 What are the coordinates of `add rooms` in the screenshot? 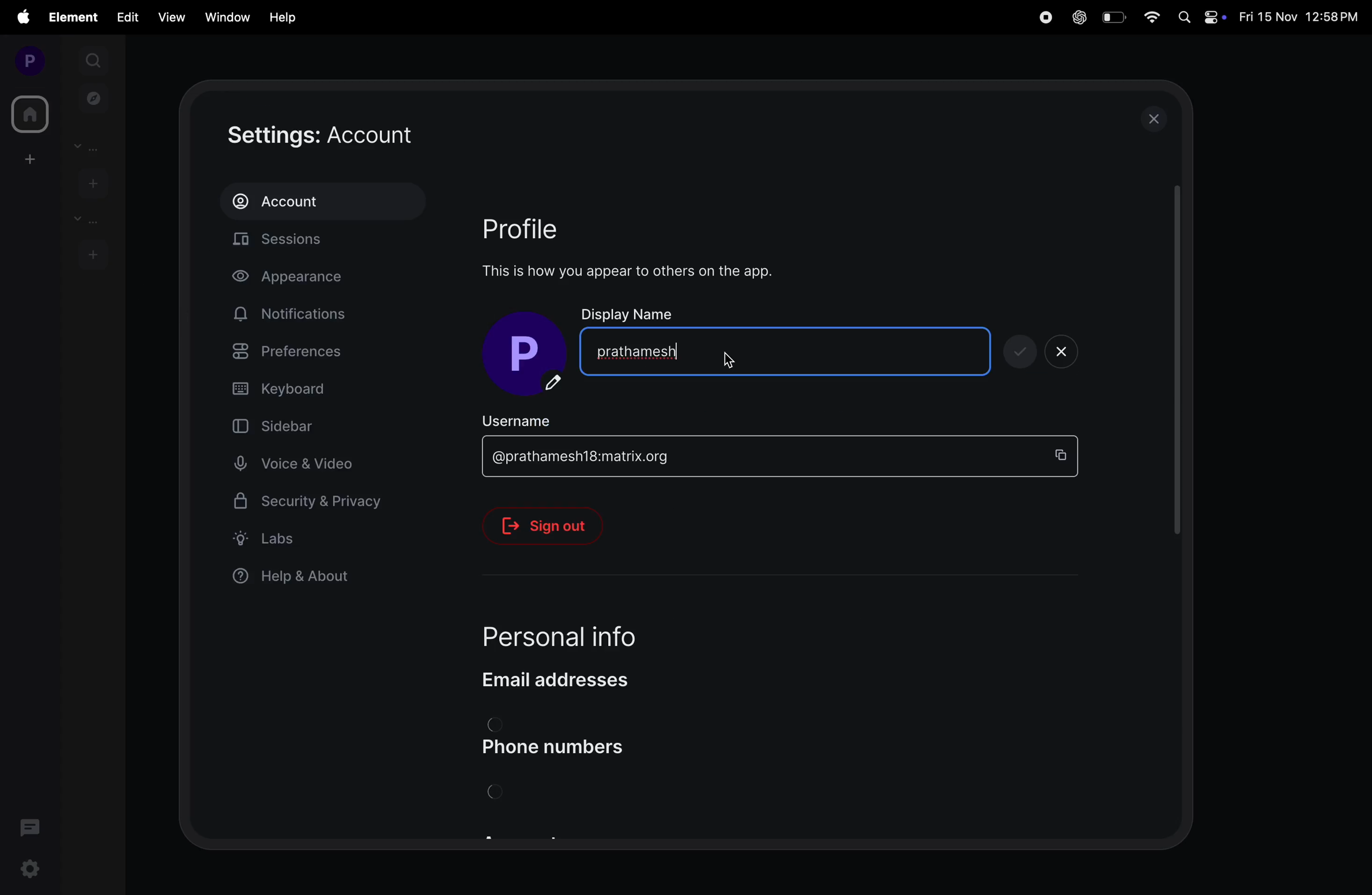 It's located at (93, 253).